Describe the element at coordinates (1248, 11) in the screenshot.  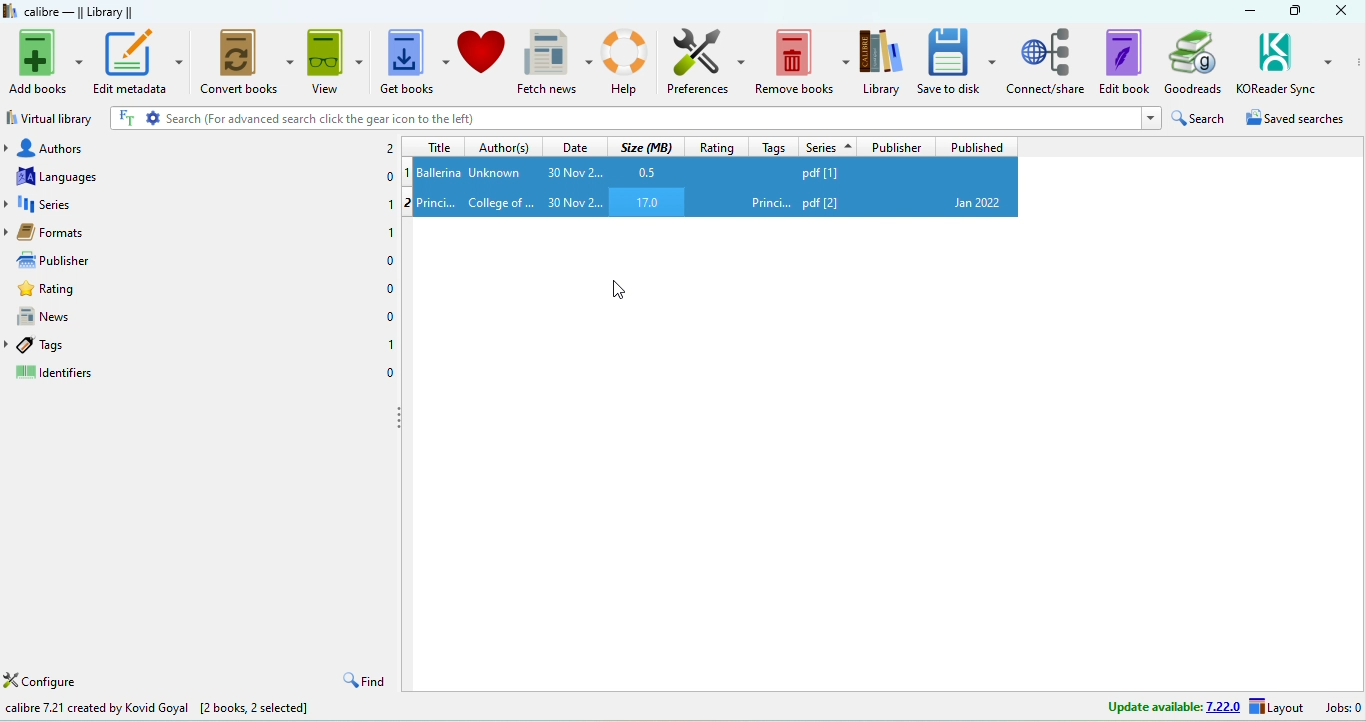
I see `minimize` at that location.